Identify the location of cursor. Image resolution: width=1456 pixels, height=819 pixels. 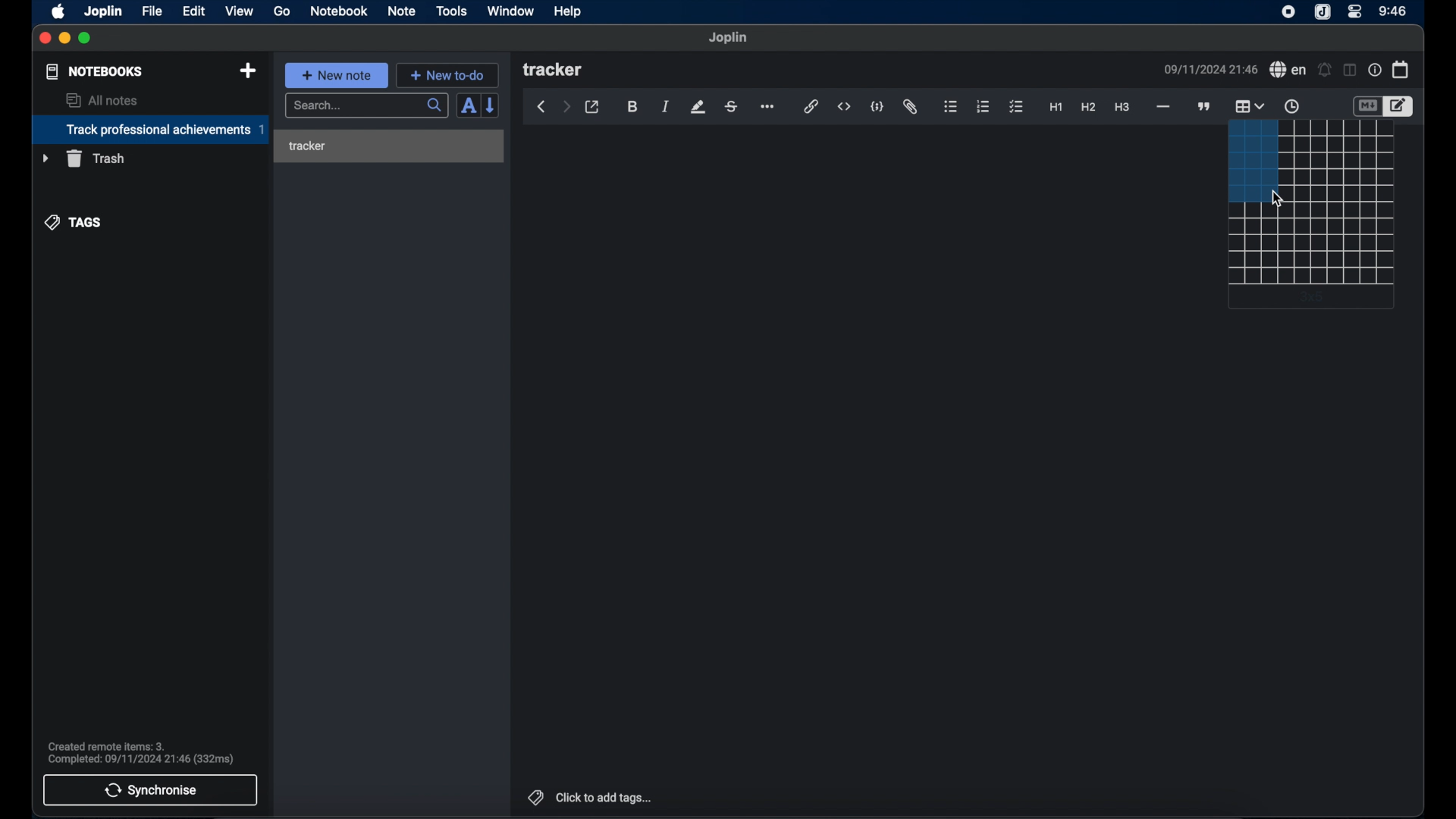
(1279, 200).